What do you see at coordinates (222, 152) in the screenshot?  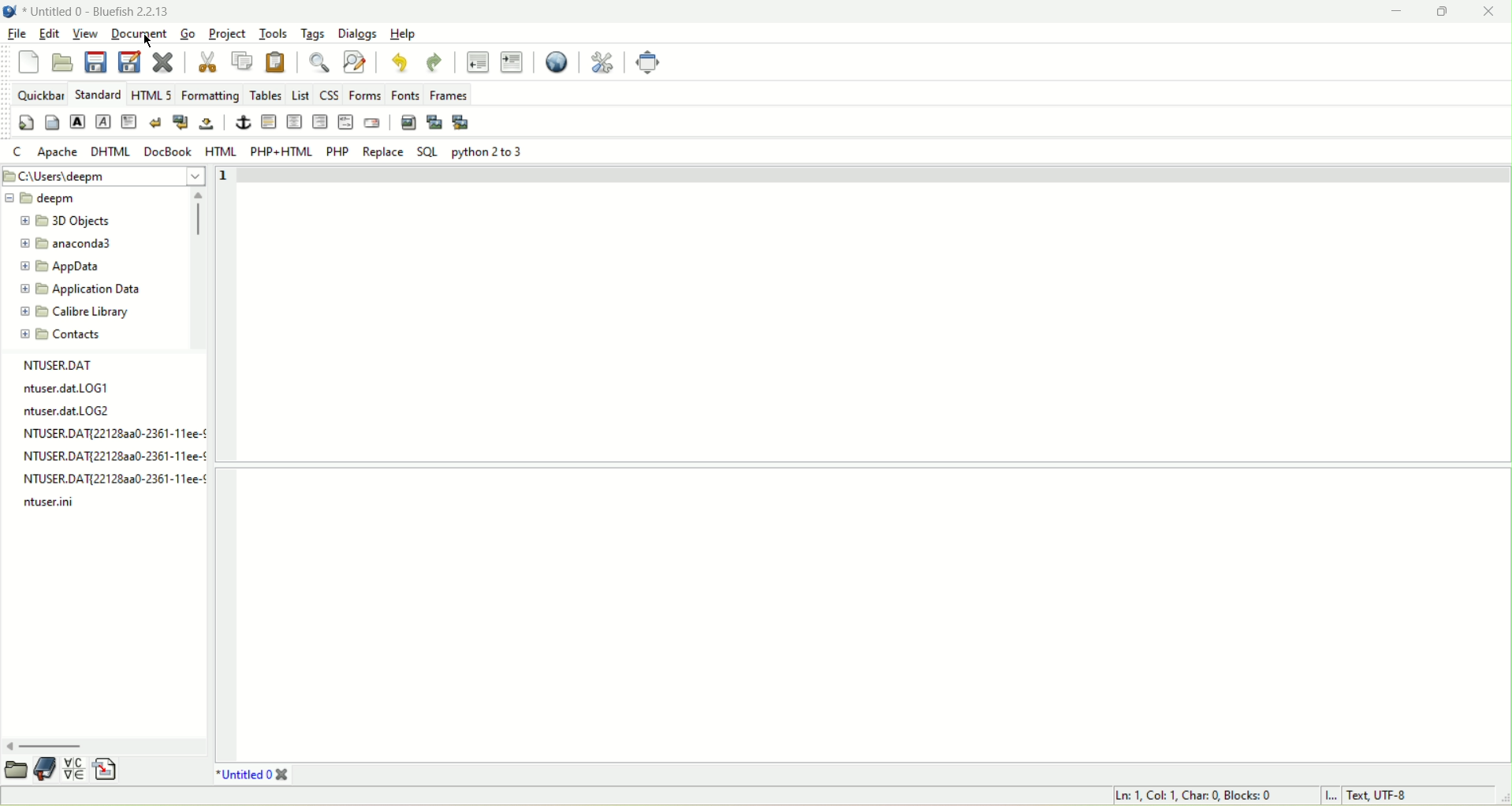 I see `HTML` at bounding box center [222, 152].